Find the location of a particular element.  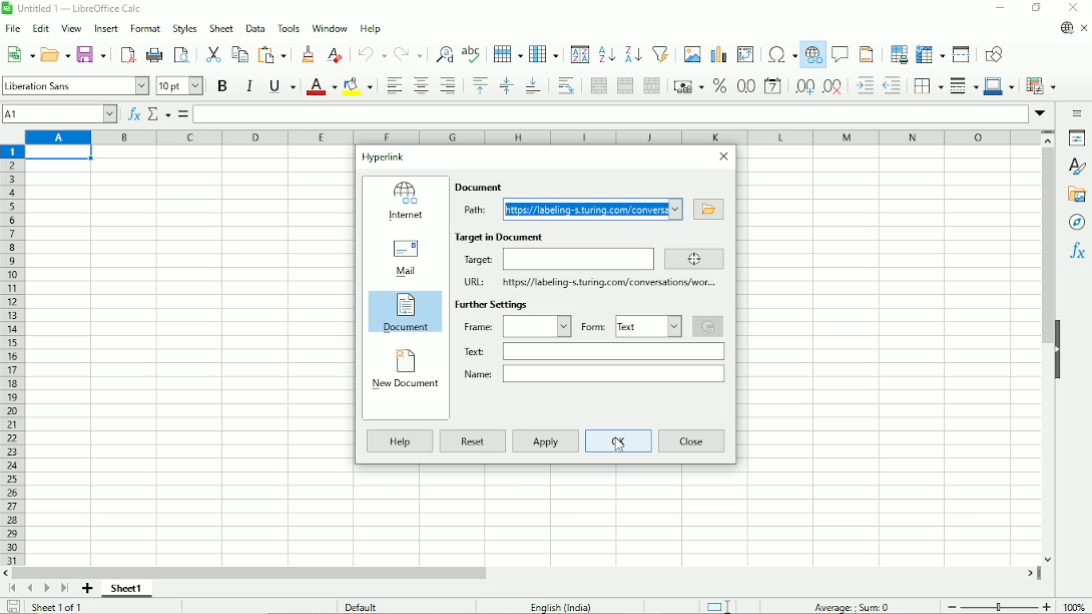

Standard selection is located at coordinates (719, 605).